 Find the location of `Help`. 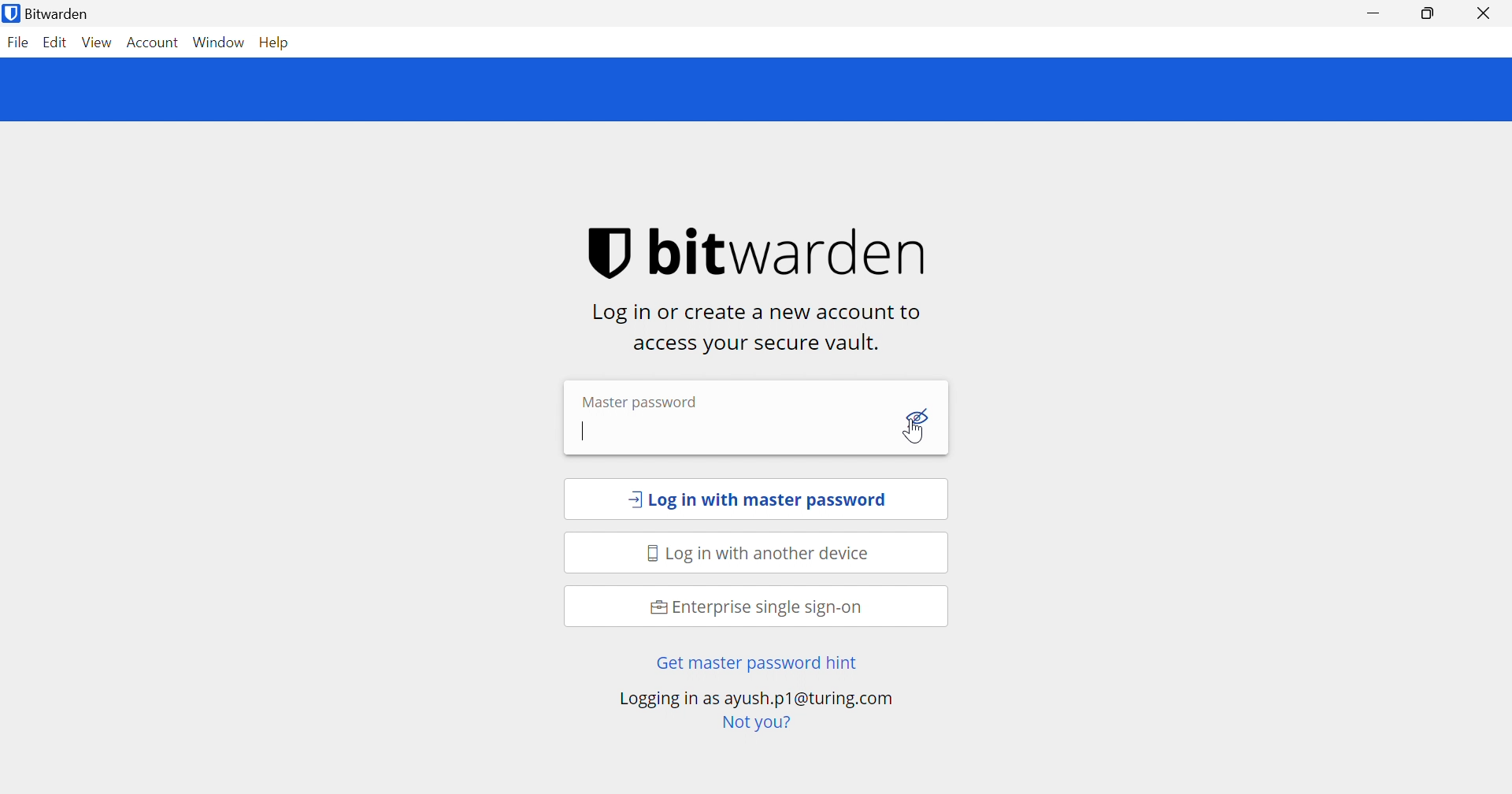

Help is located at coordinates (276, 42).